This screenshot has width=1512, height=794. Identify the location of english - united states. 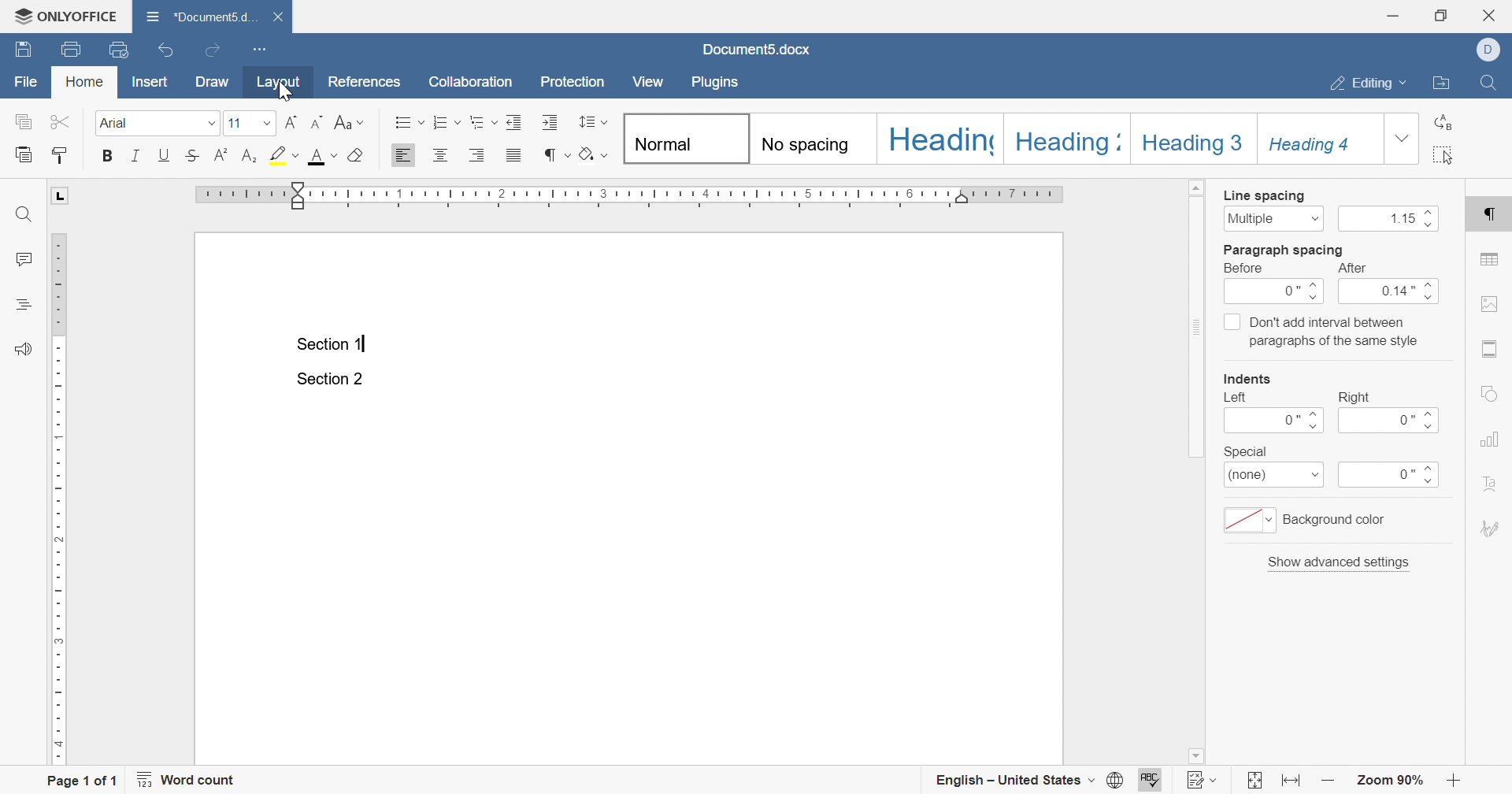
(1028, 781).